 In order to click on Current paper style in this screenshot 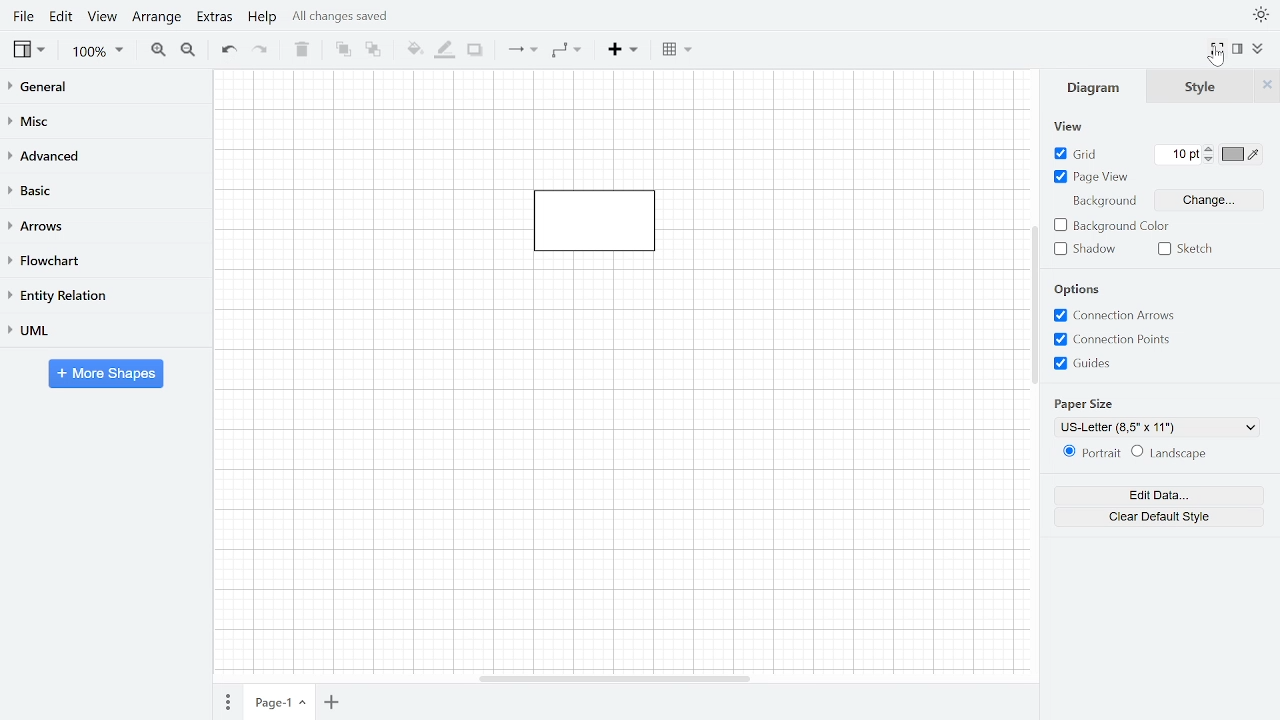, I will do `click(1151, 428)`.